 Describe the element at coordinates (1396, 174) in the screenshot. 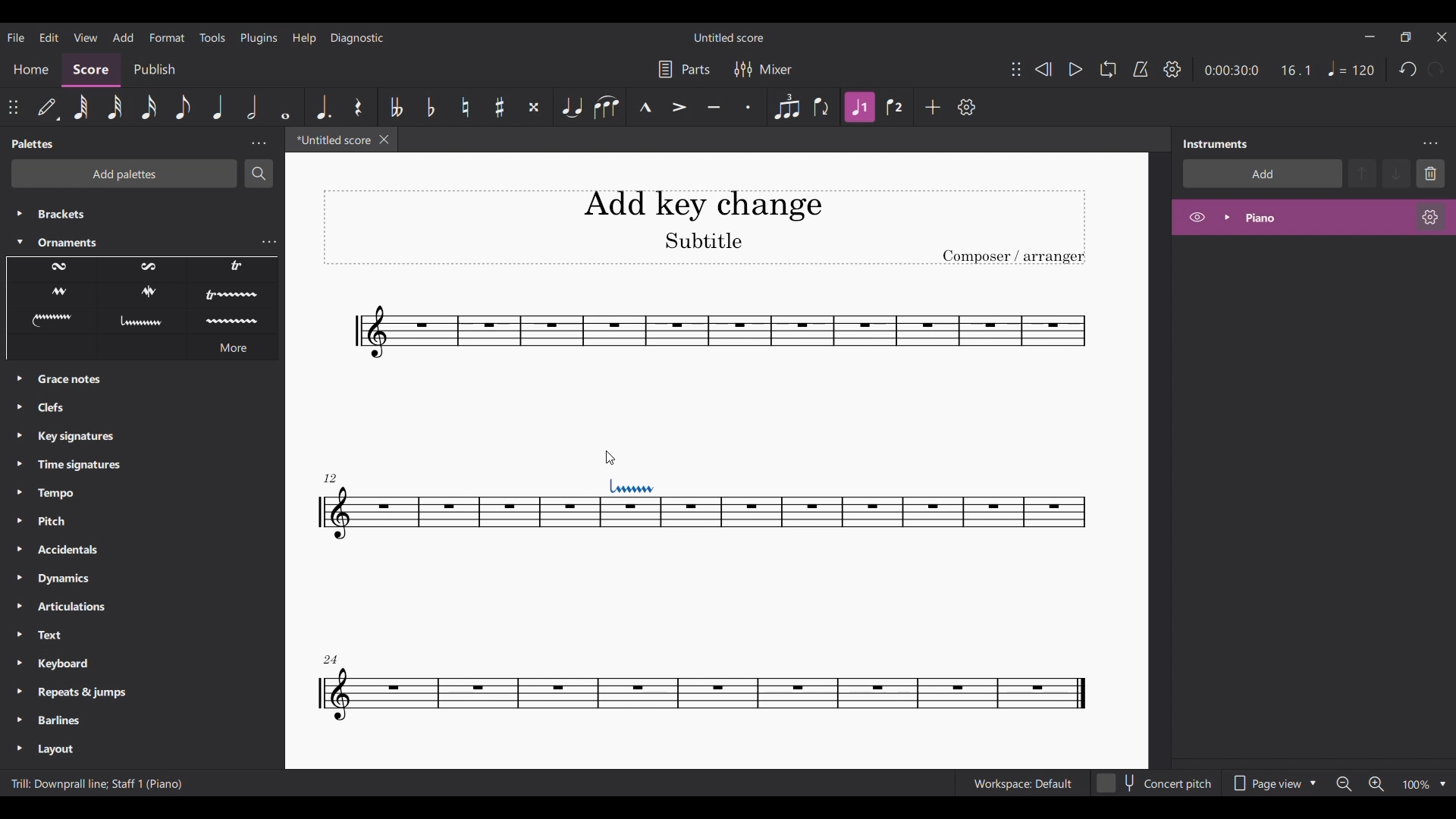

I see `Move down` at that location.